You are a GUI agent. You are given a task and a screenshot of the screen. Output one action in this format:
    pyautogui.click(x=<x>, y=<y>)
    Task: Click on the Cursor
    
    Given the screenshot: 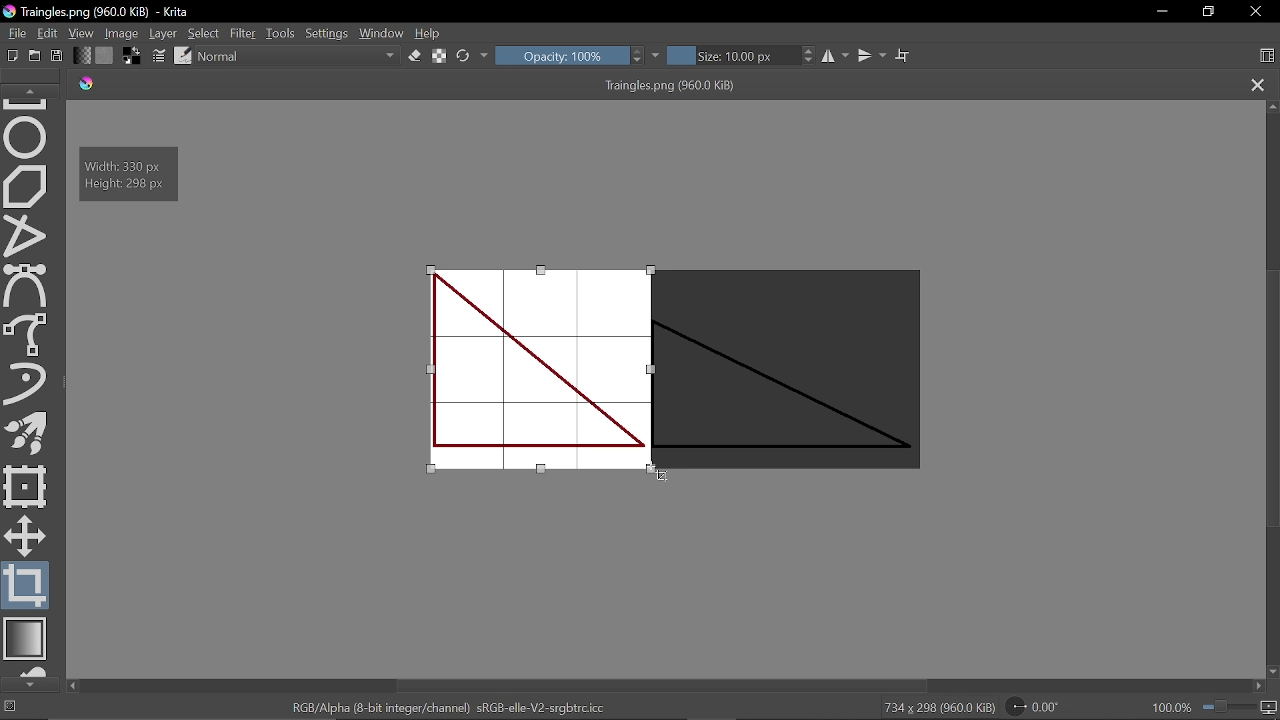 What is the action you would take?
    pyautogui.click(x=661, y=477)
    